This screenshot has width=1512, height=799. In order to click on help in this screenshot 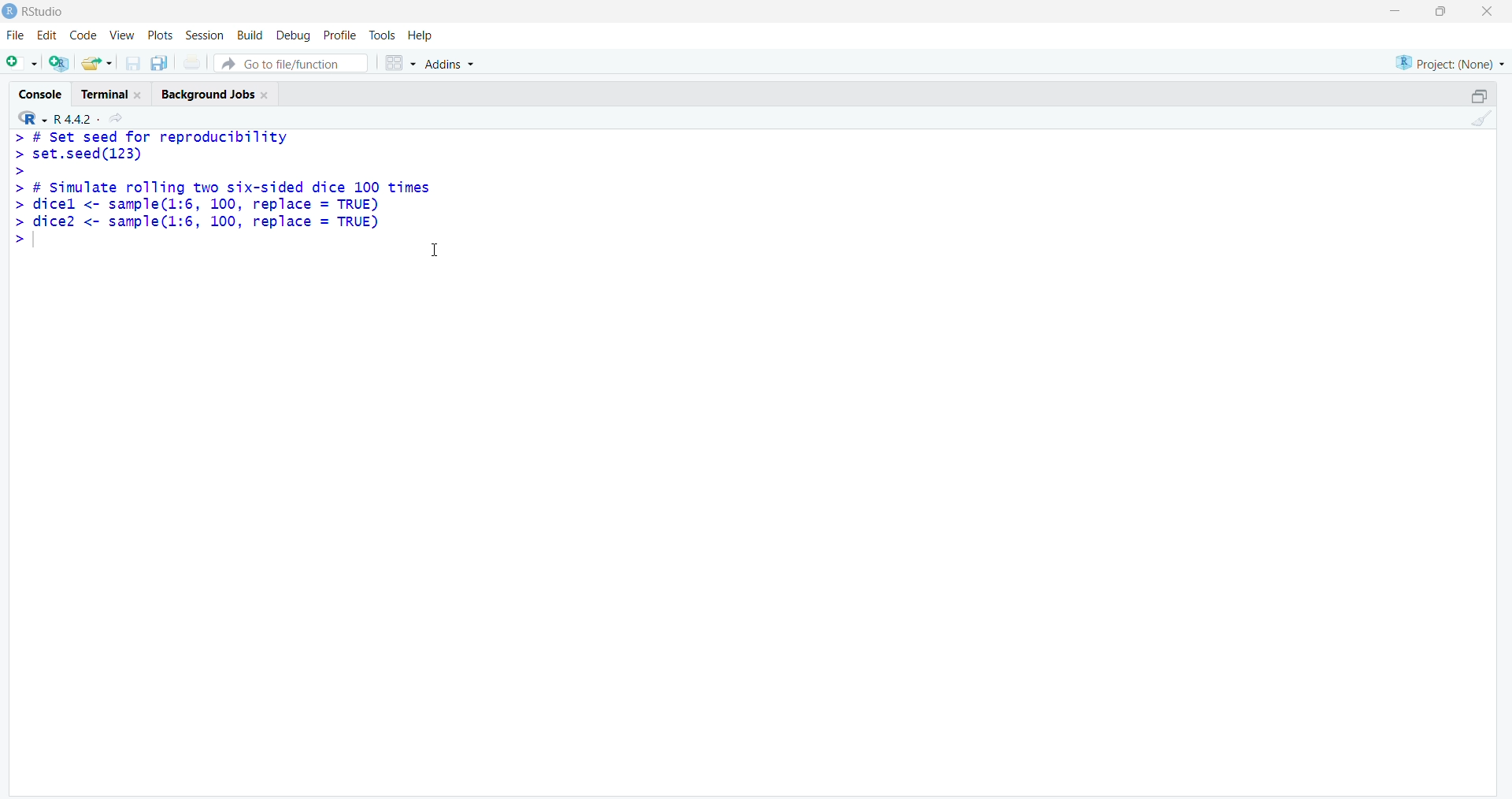, I will do `click(422, 36)`.